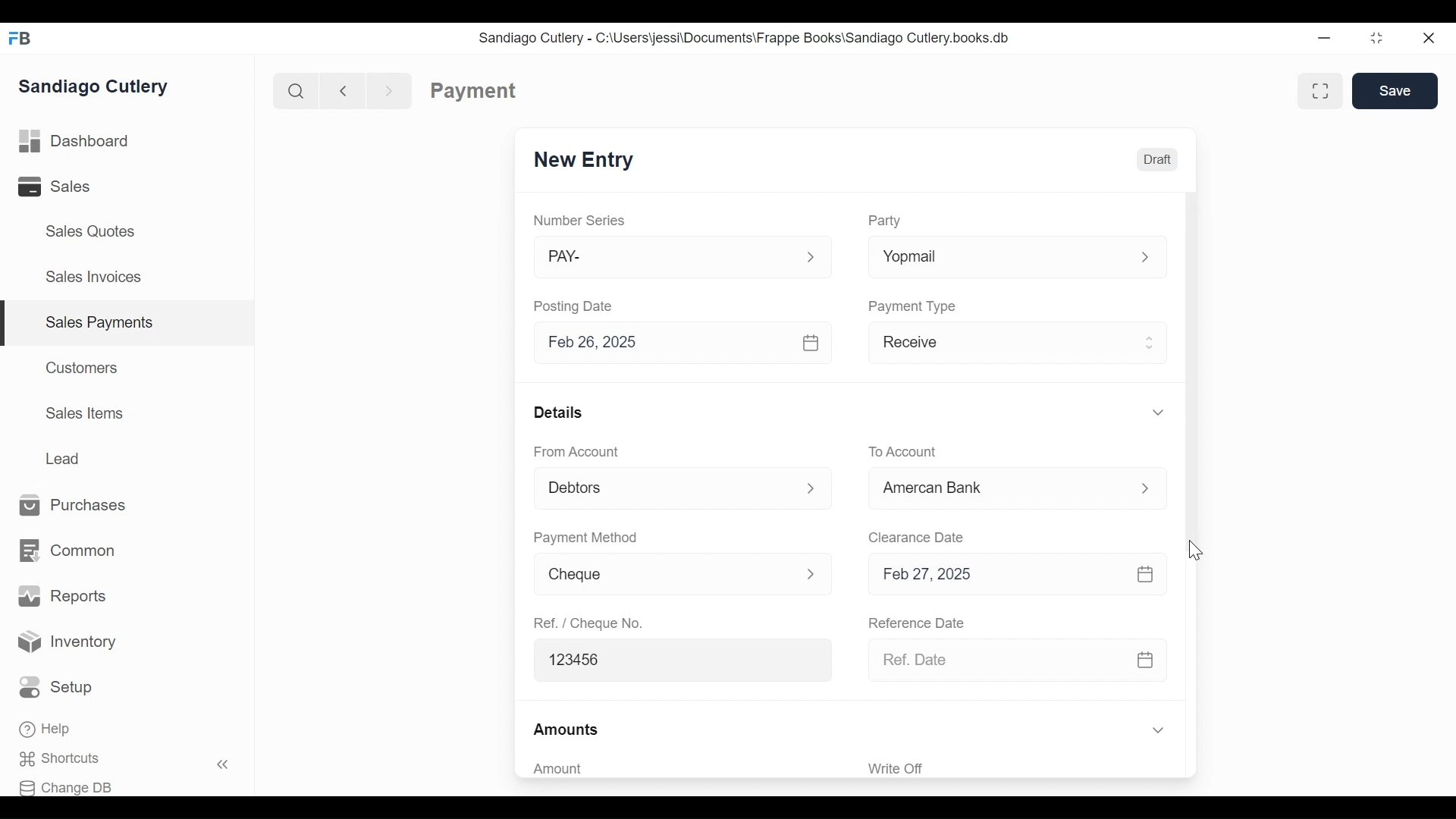  I want to click on Amounts, so click(567, 730).